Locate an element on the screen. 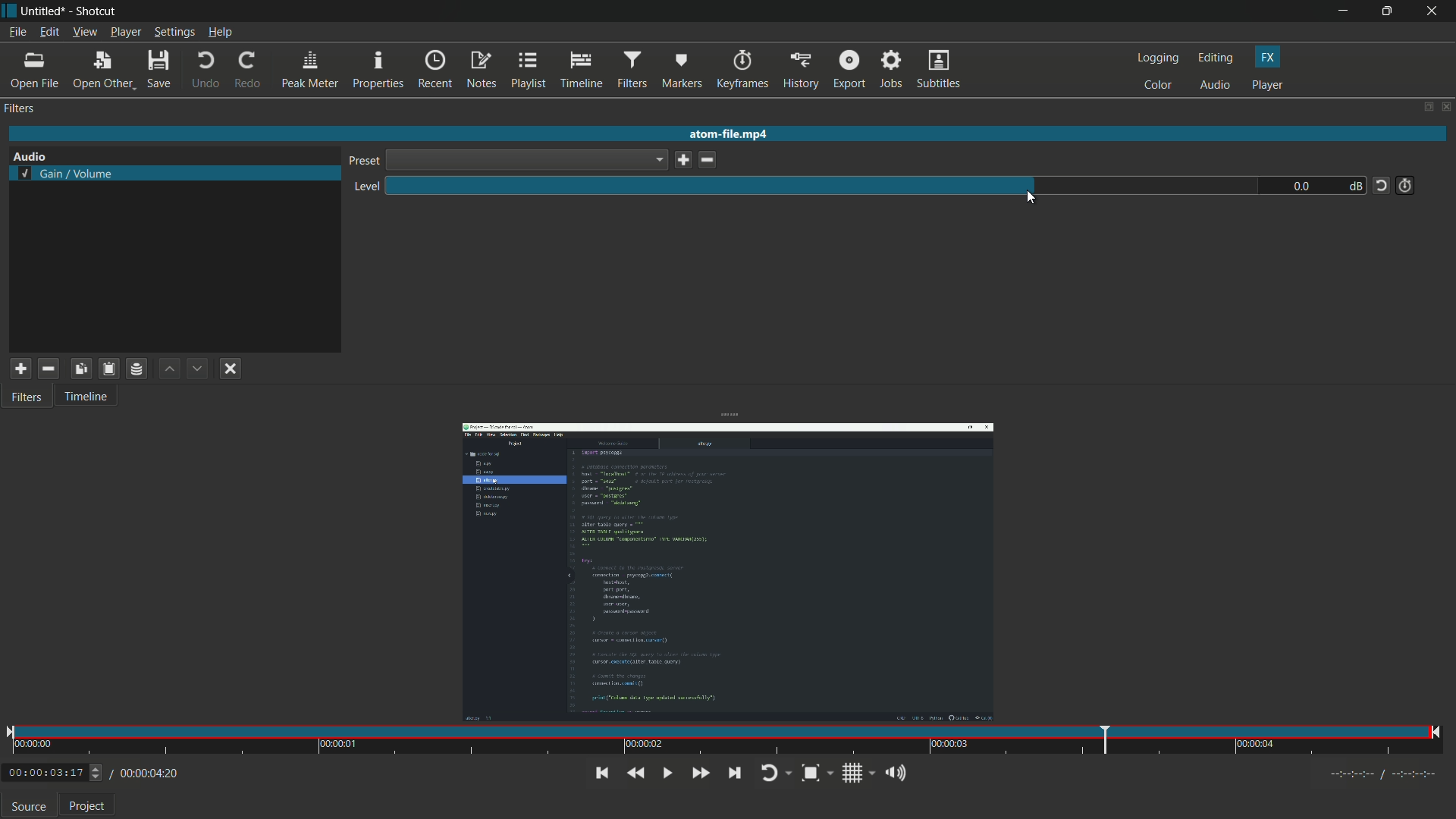 Image resolution: width=1456 pixels, height=819 pixels. Untitled (file name) is located at coordinates (44, 11).